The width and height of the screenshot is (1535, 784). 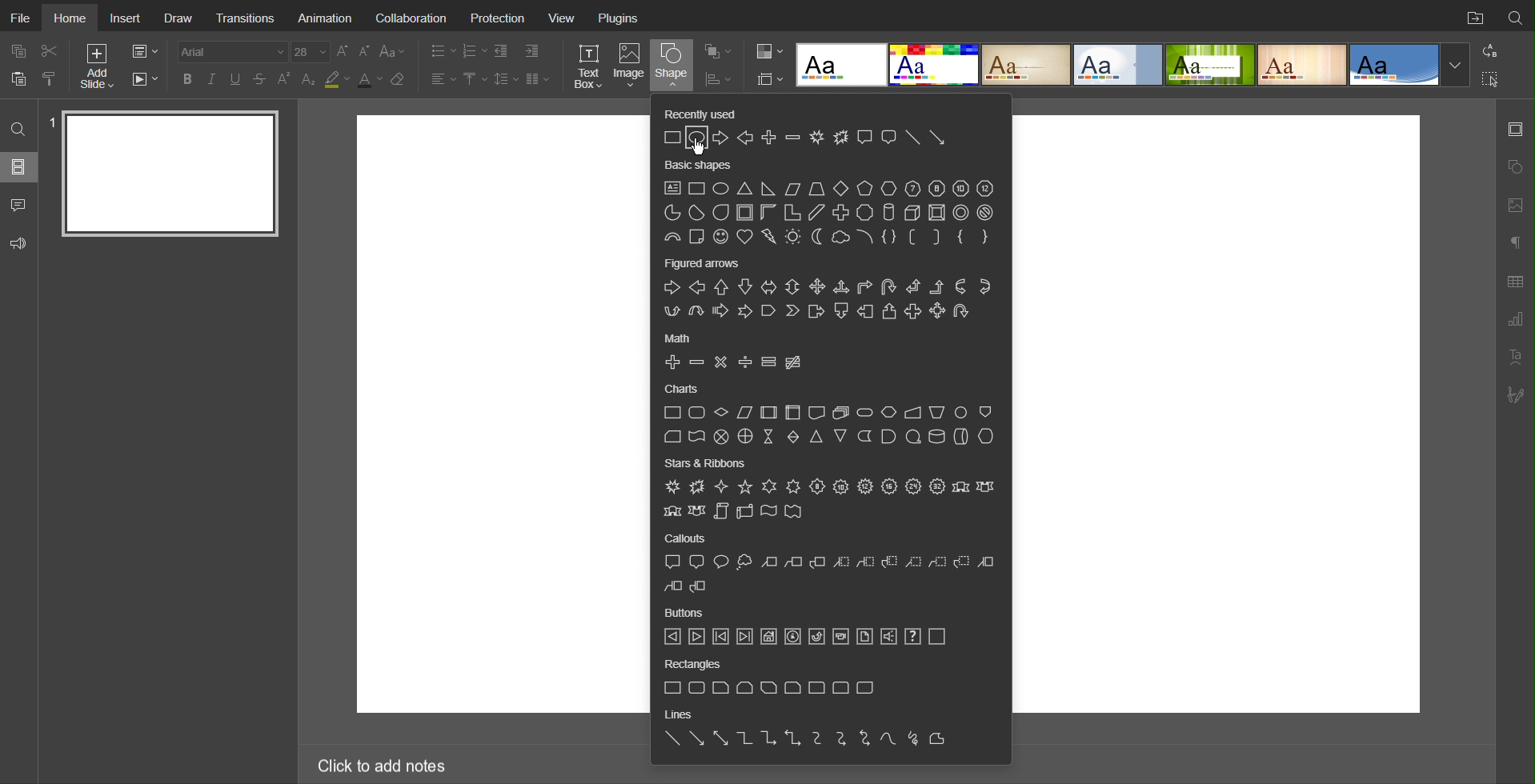 What do you see at coordinates (1515, 129) in the screenshot?
I see `Slide Settings` at bounding box center [1515, 129].